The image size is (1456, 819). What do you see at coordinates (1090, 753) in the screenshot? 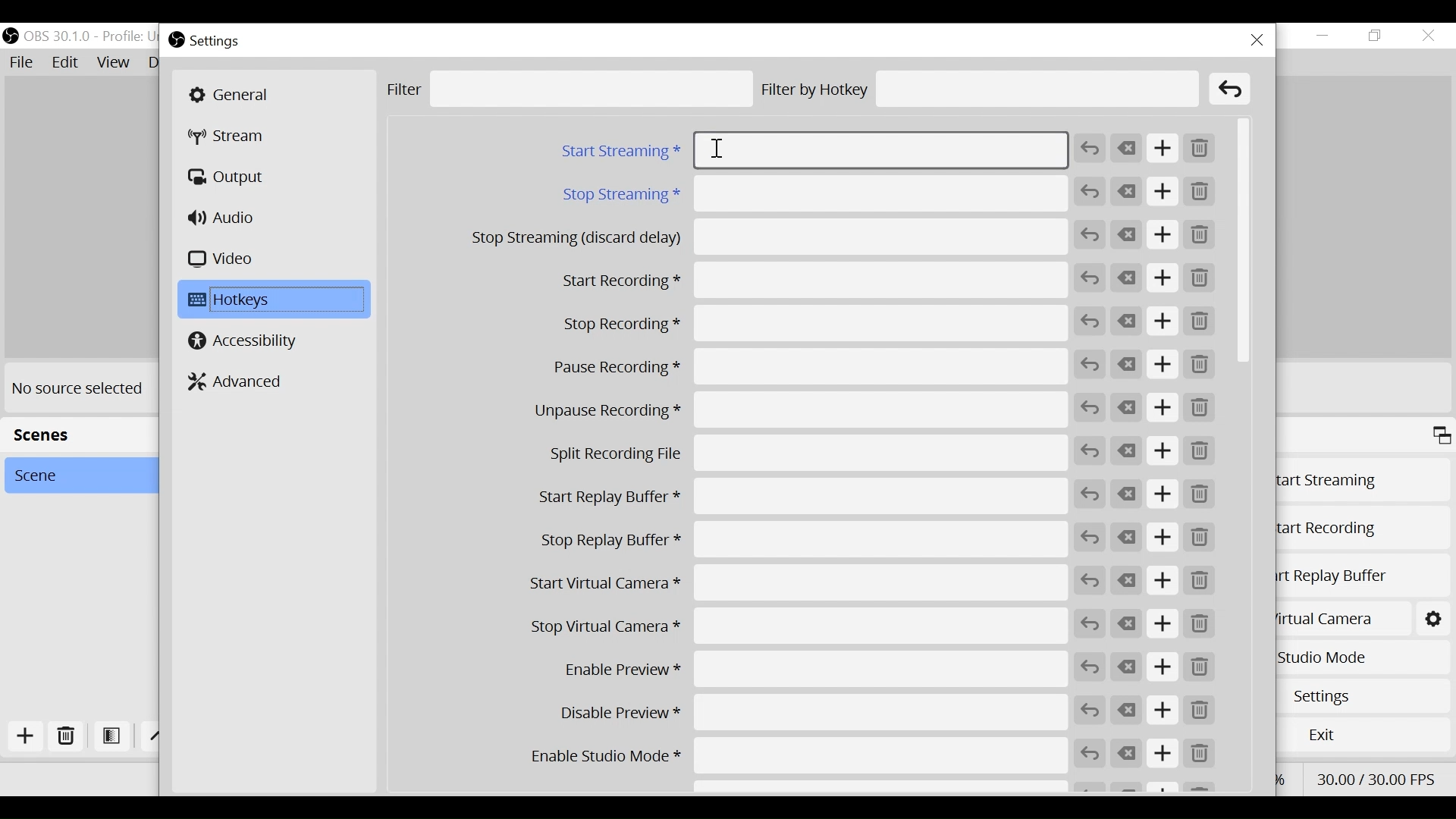
I see `Revert` at bounding box center [1090, 753].